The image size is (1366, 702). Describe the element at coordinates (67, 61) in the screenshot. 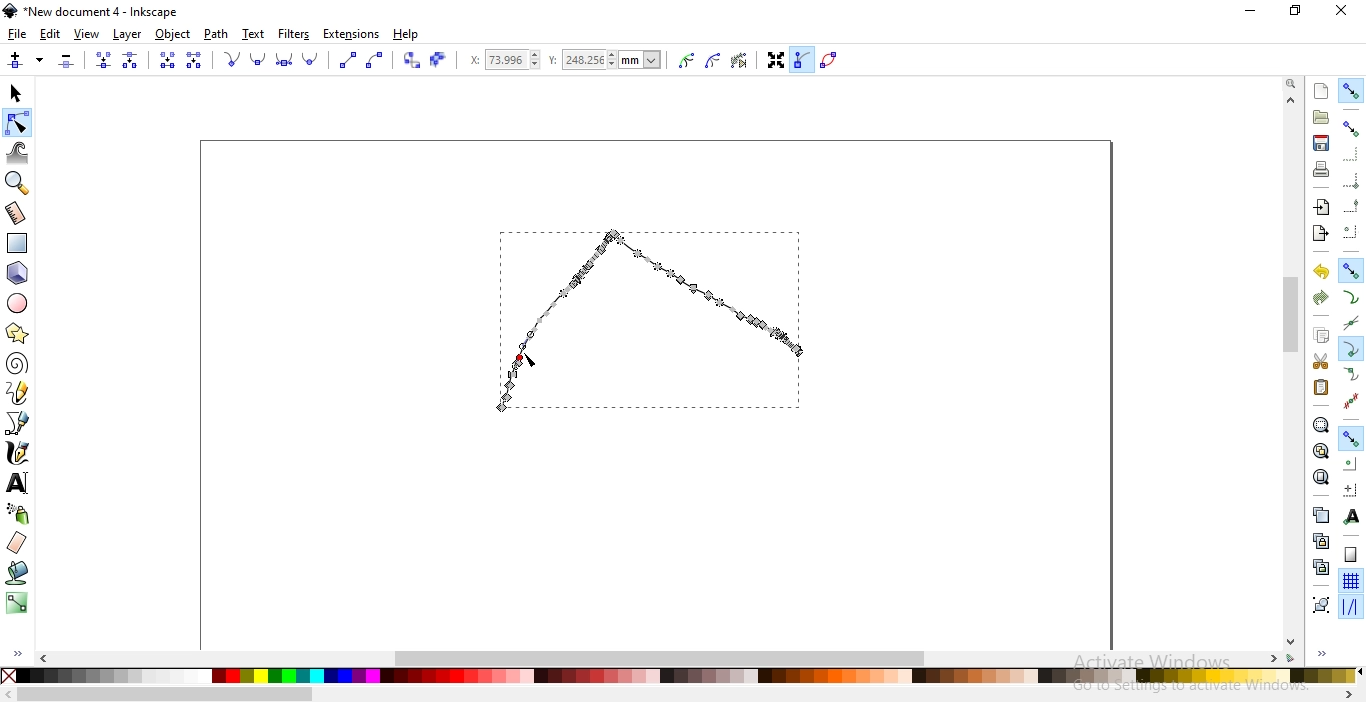

I see `delete selected nodes` at that location.